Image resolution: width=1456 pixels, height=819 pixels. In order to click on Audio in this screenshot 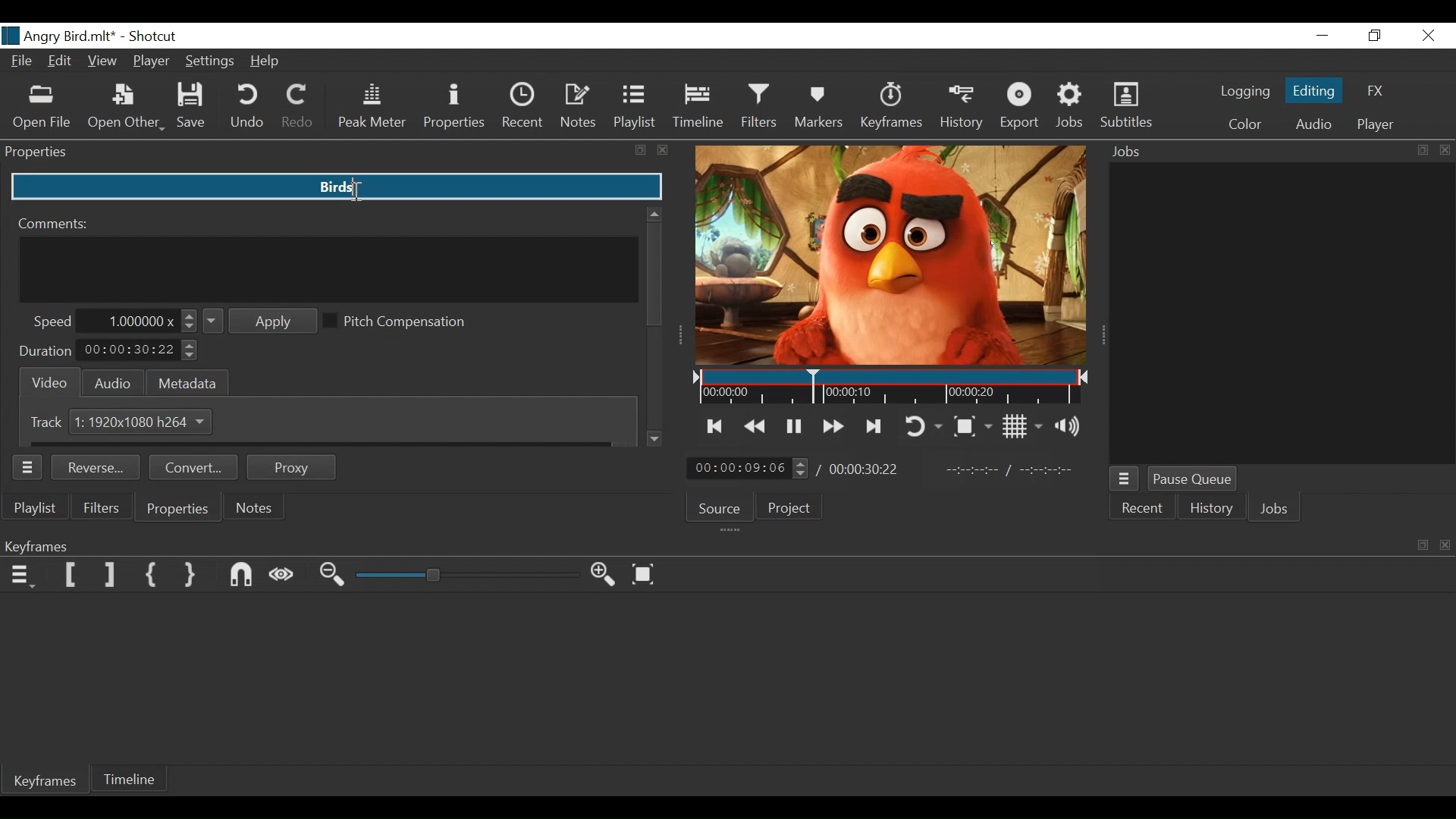, I will do `click(1311, 124)`.